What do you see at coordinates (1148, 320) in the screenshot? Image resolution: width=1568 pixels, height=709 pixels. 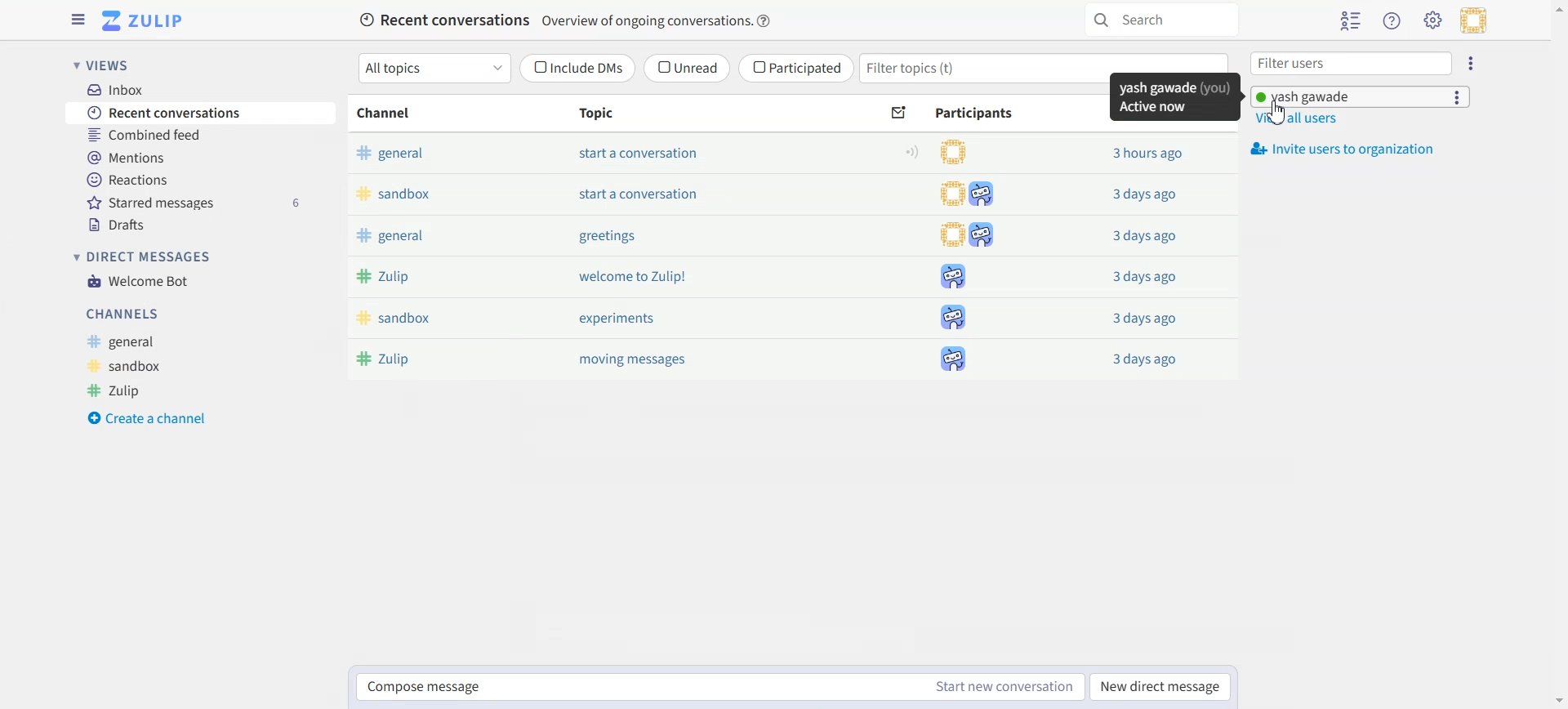 I see `3 days ago` at bounding box center [1148, 320].